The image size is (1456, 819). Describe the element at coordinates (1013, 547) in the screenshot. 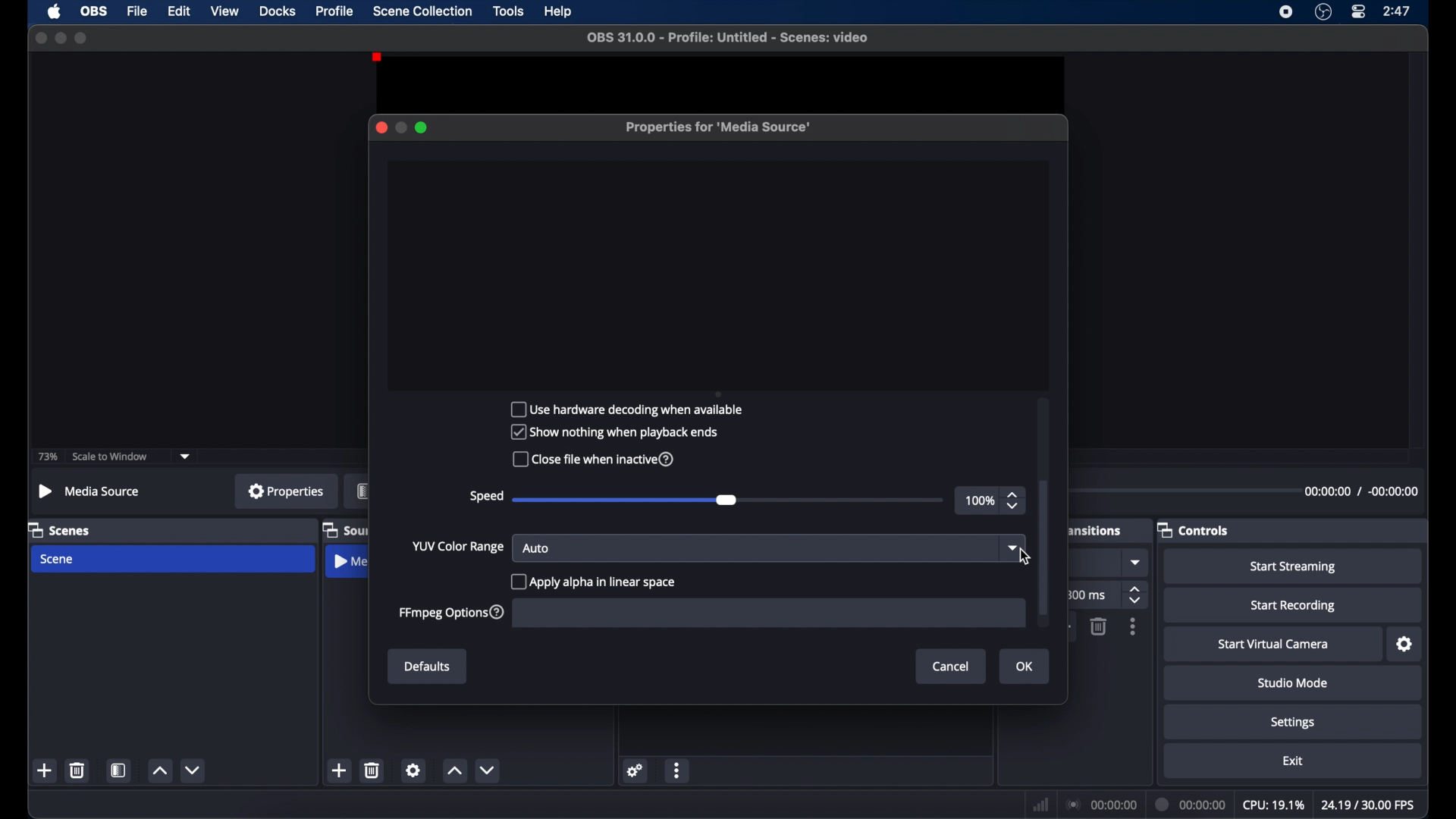

I see `dropdown` at that location.